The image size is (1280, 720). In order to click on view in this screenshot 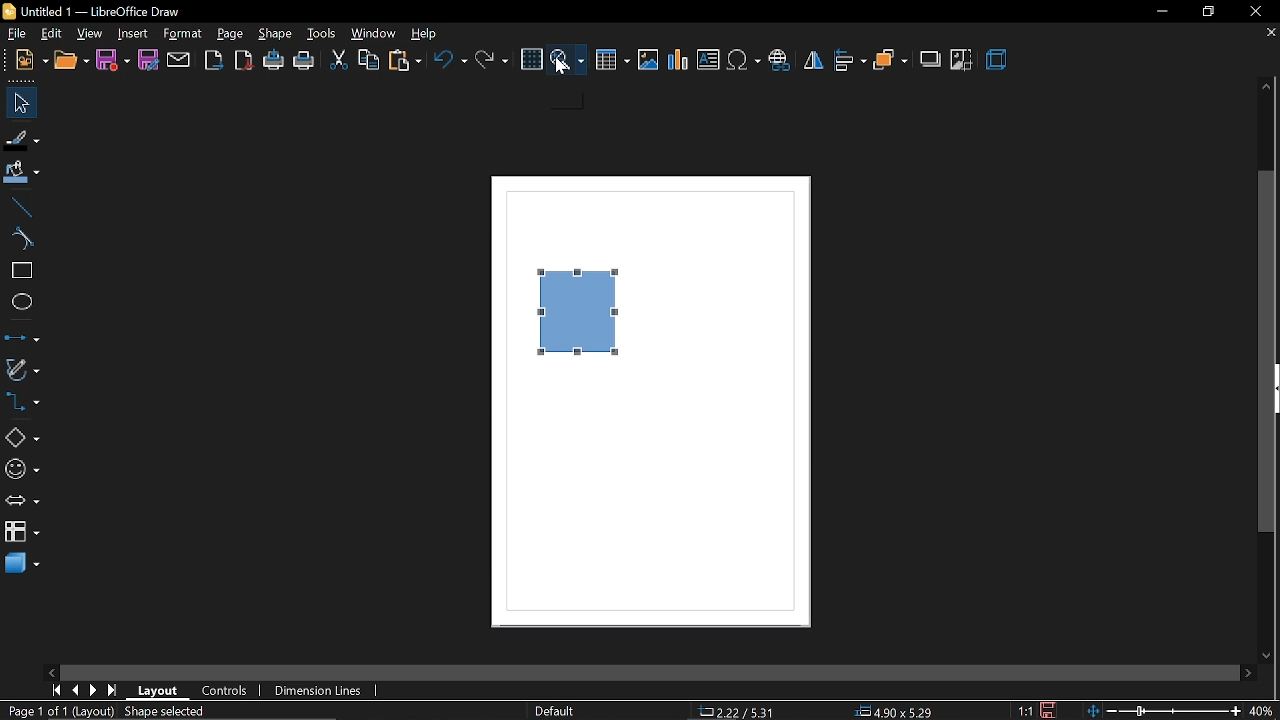, I will do `click(51, 32)`.